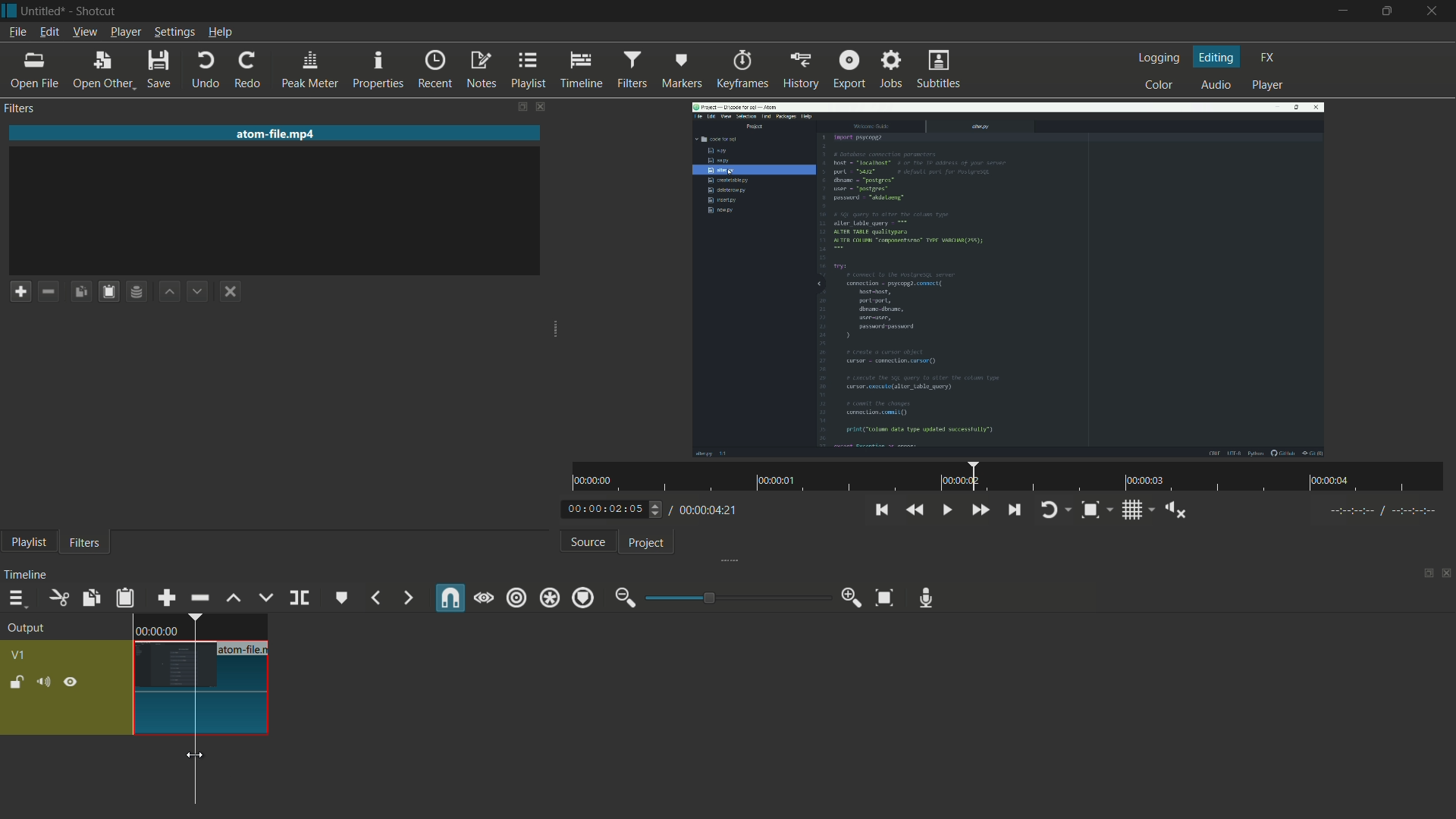  I want to click on zoom out, so click(625, 595).